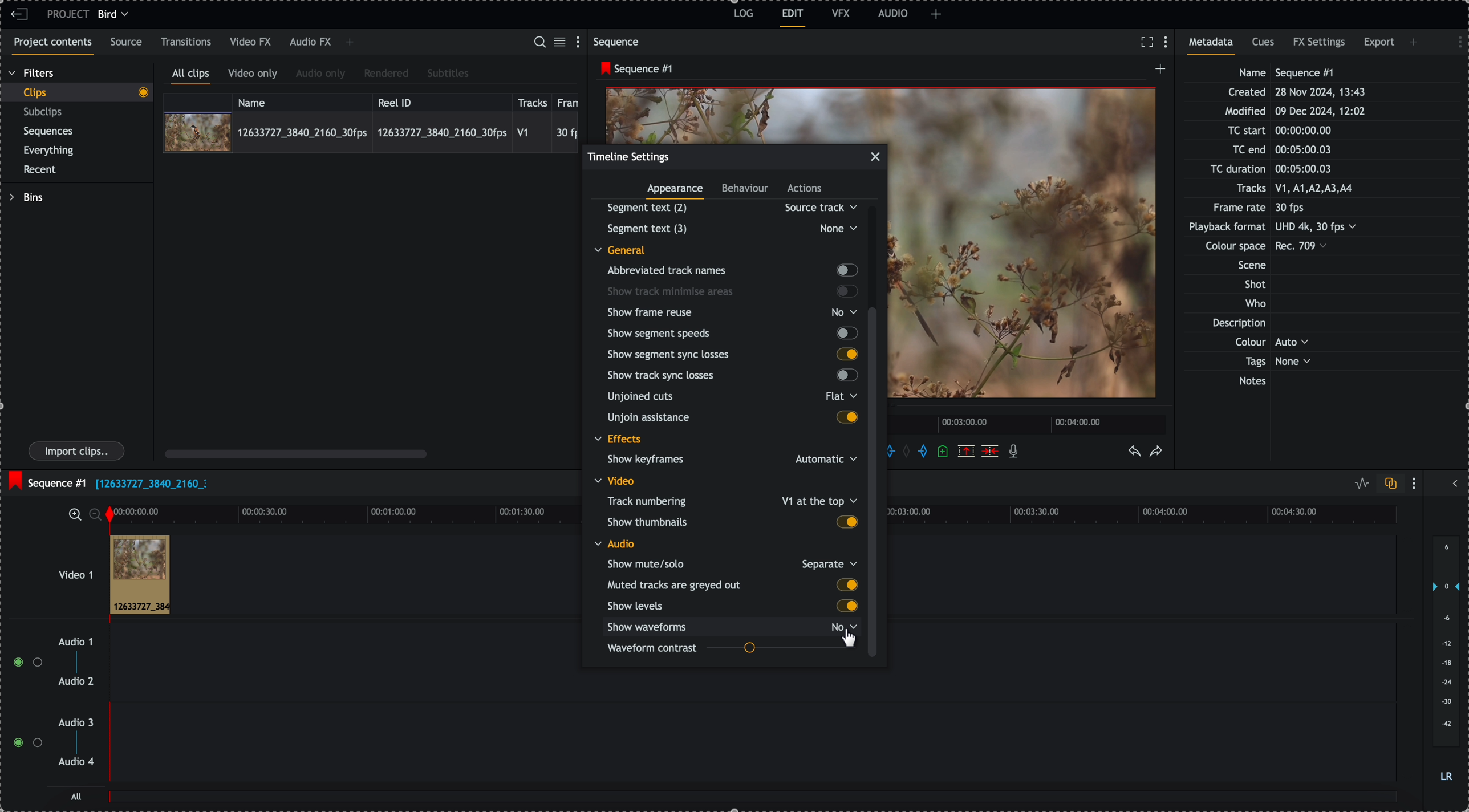 The height and width of the screenshot is (812, 1469). Describe the element at coordinates (944, 452) in the screenshot. I see `add a cue at the current position` at that location.